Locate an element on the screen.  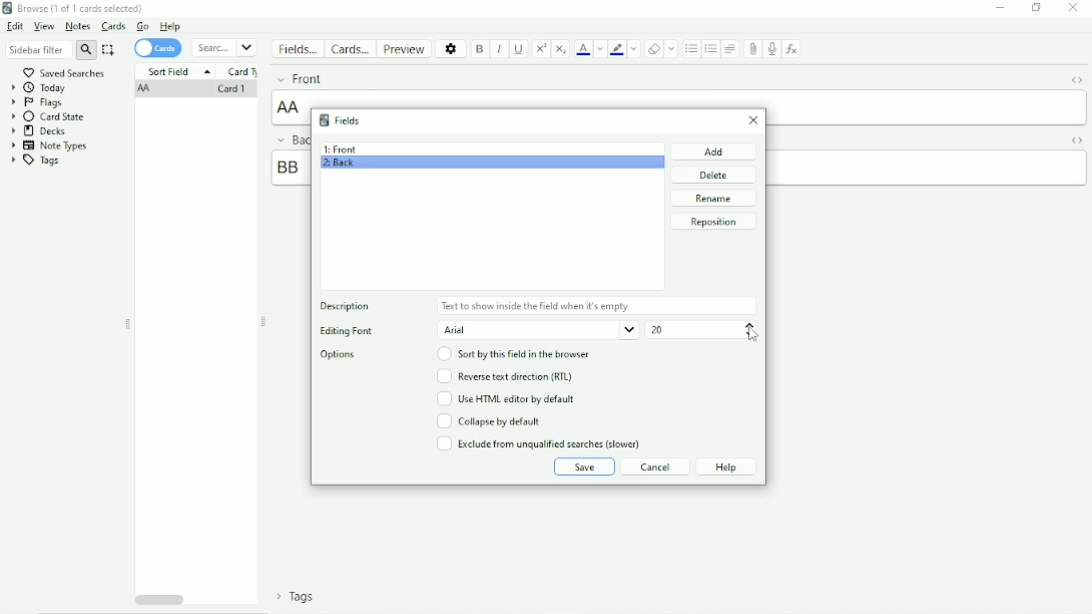
Options is located at coordinates (343, 355).